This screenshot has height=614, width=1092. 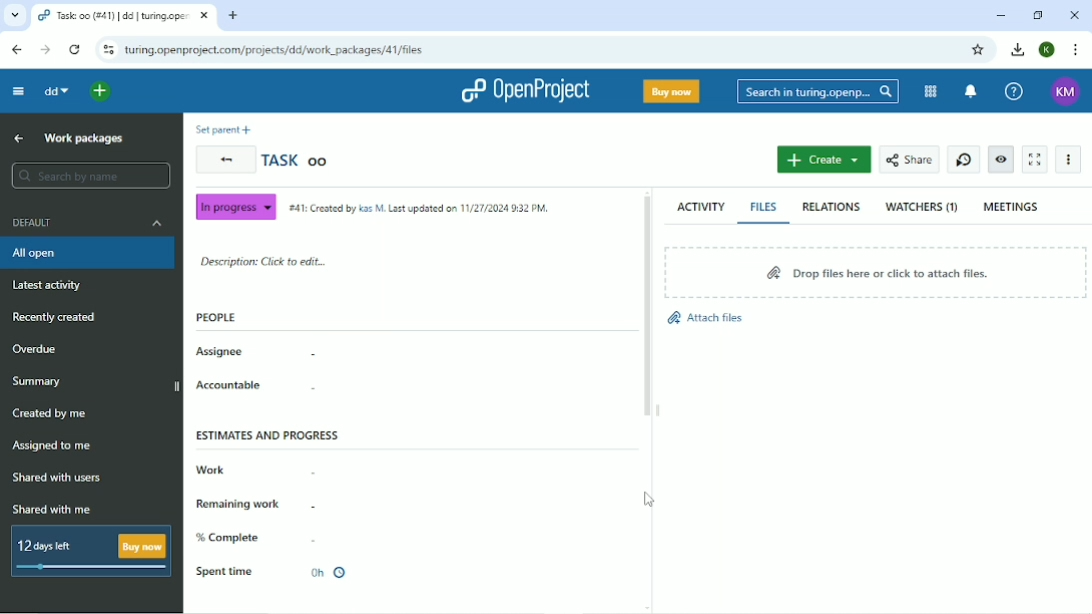 What do you see at coordinates (1014, 90) in the screenshot?
I see `Help` at bounding box center [1014, 90].